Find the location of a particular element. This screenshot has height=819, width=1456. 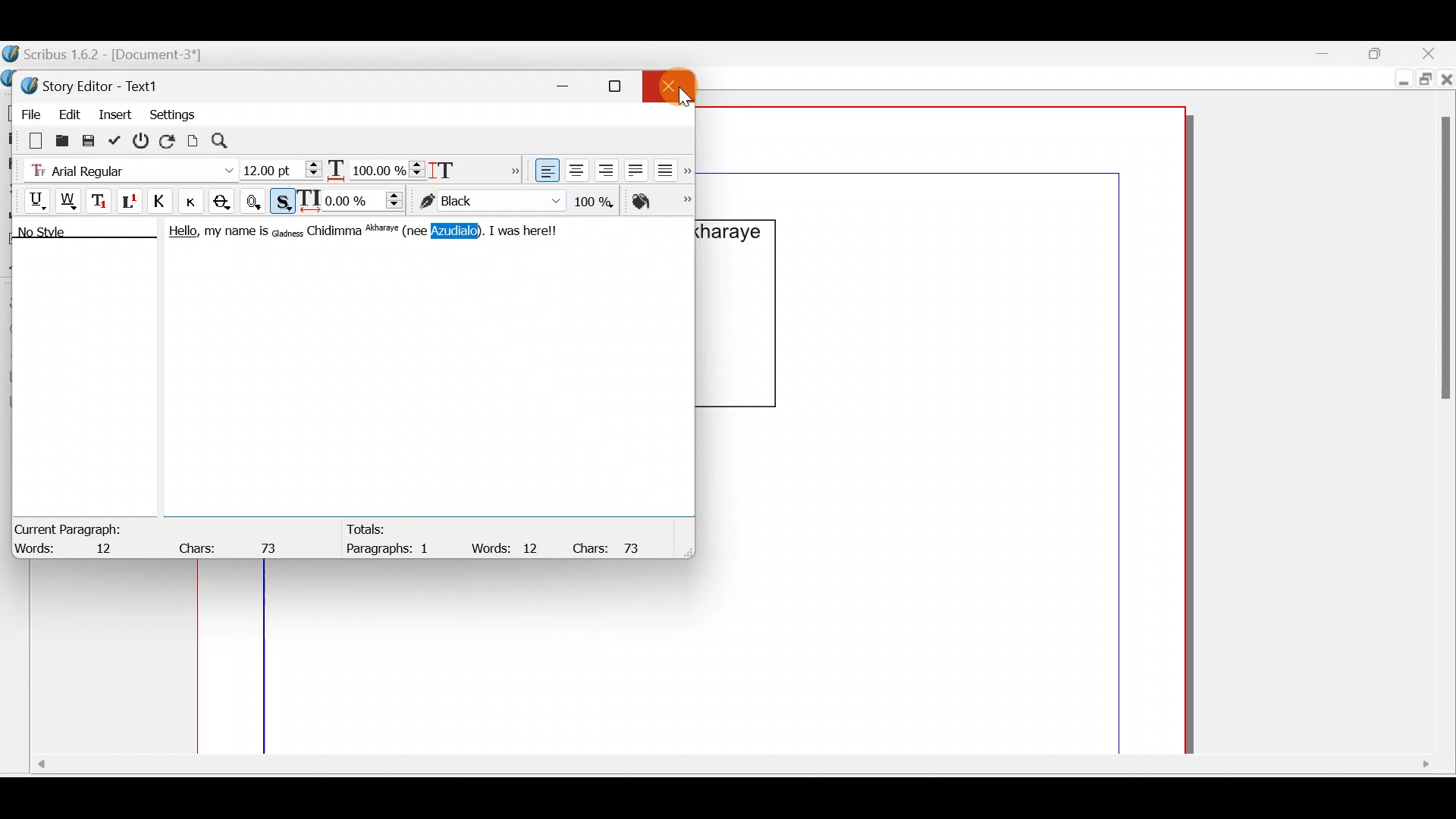

Edit  is located at coordinates (69, 111).